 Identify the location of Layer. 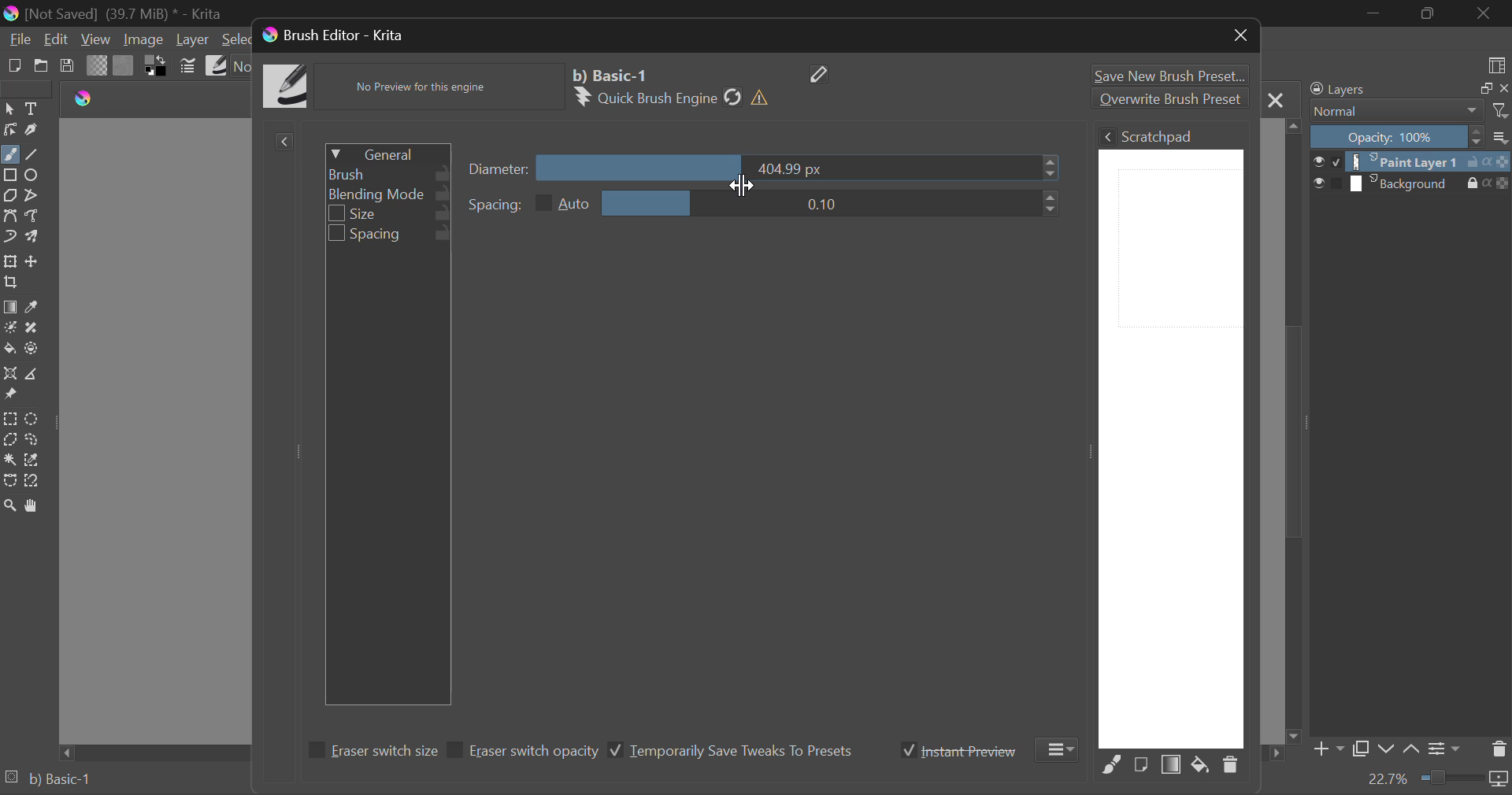
(193, 41).